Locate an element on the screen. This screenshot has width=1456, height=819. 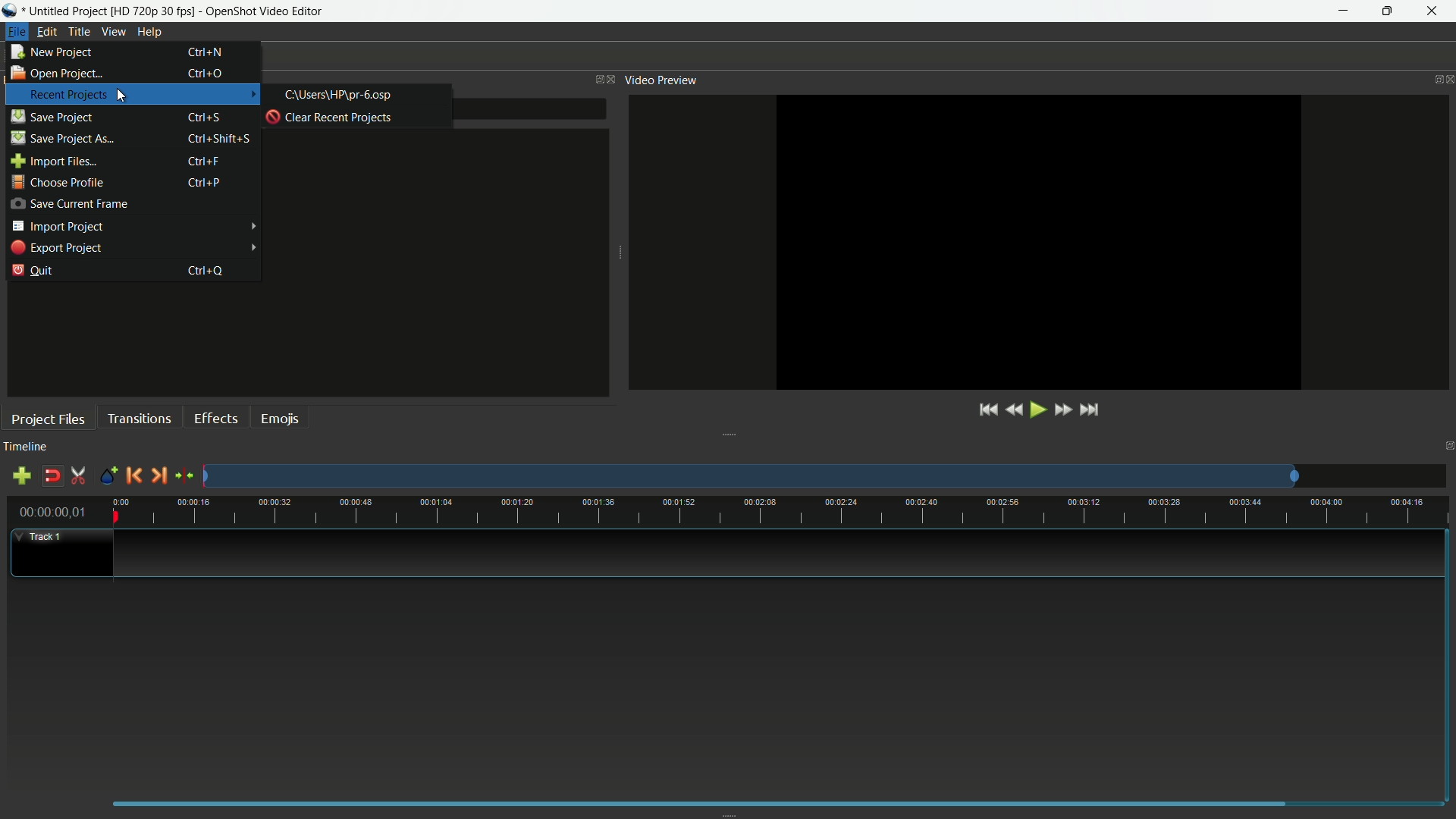
recent project is located at coordinates (340, 95).